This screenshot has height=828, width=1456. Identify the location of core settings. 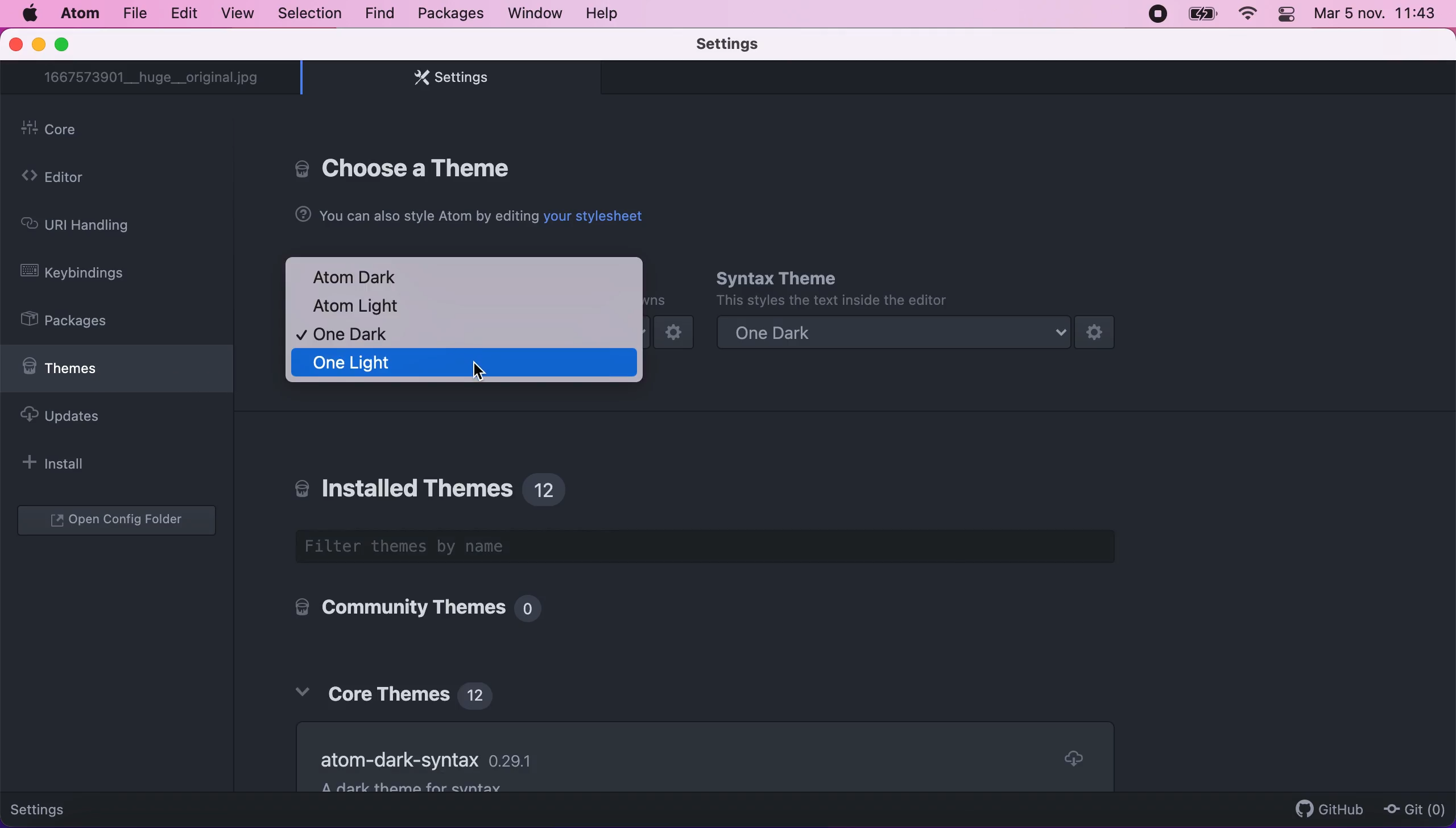
(408, 166).